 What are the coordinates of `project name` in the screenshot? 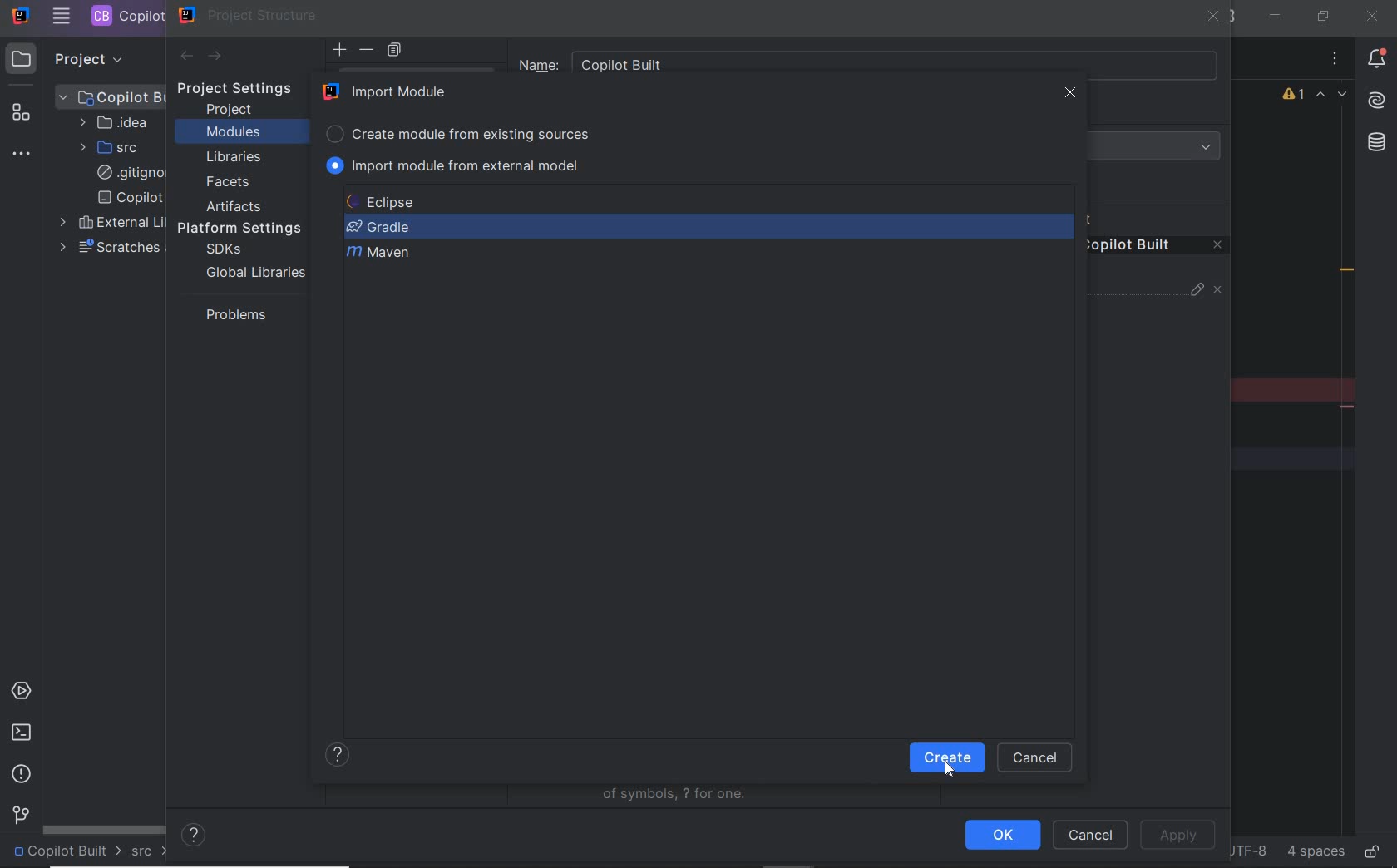 It's located at (67, 852).